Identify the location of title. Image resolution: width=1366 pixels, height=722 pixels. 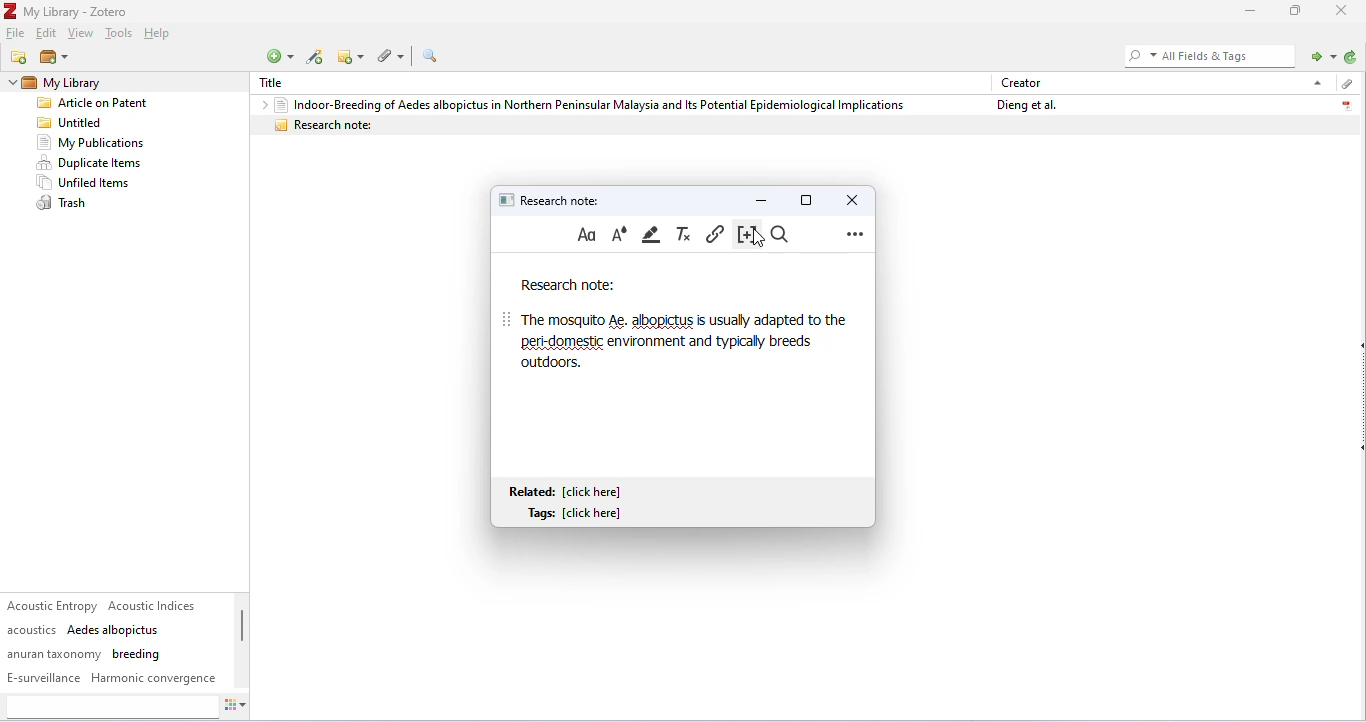
(68, 11).